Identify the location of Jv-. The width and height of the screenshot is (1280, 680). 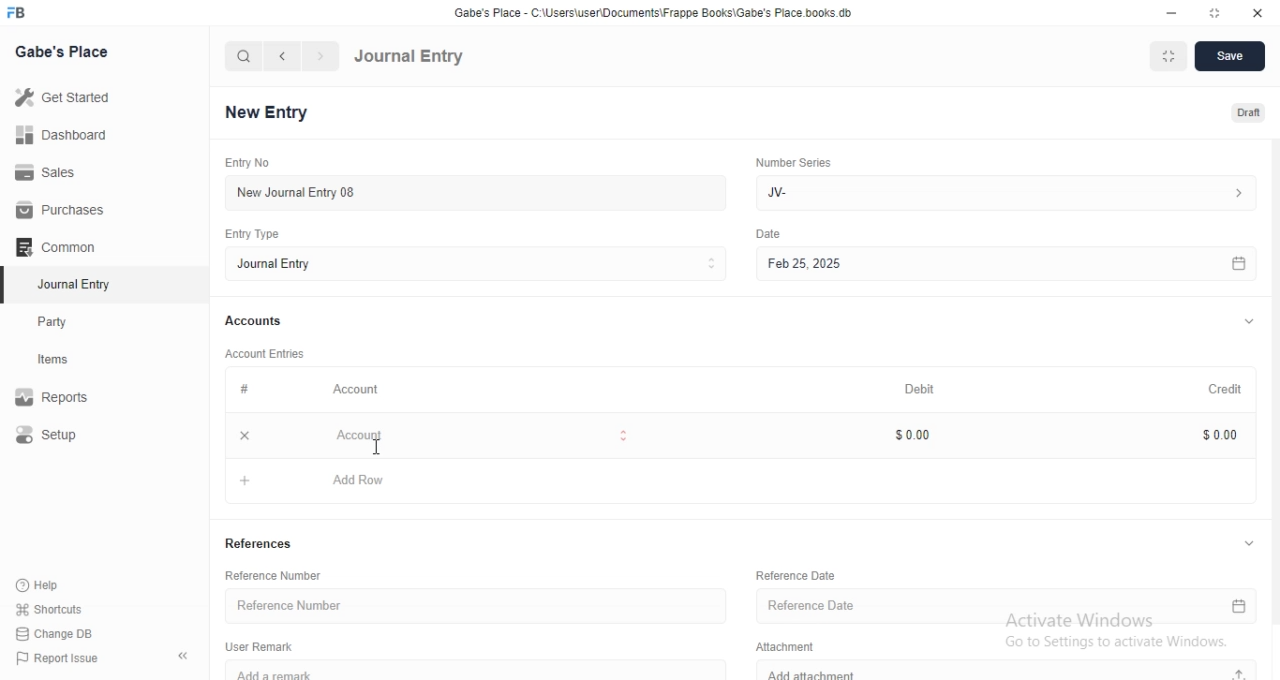
(1010, 191).